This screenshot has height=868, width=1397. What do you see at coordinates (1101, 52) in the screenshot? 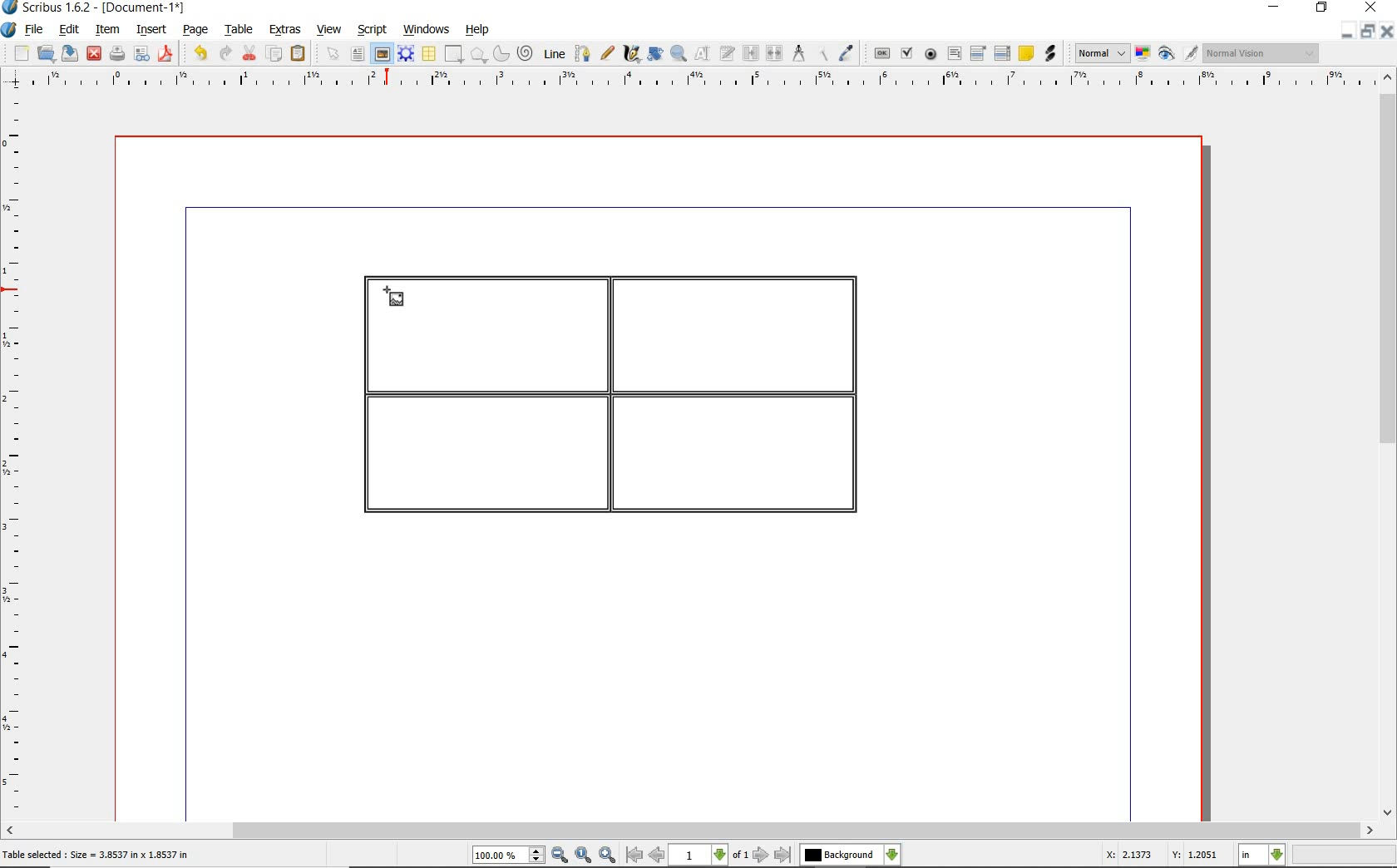
I see `image preview quality` at bounding box center [1101, 52].